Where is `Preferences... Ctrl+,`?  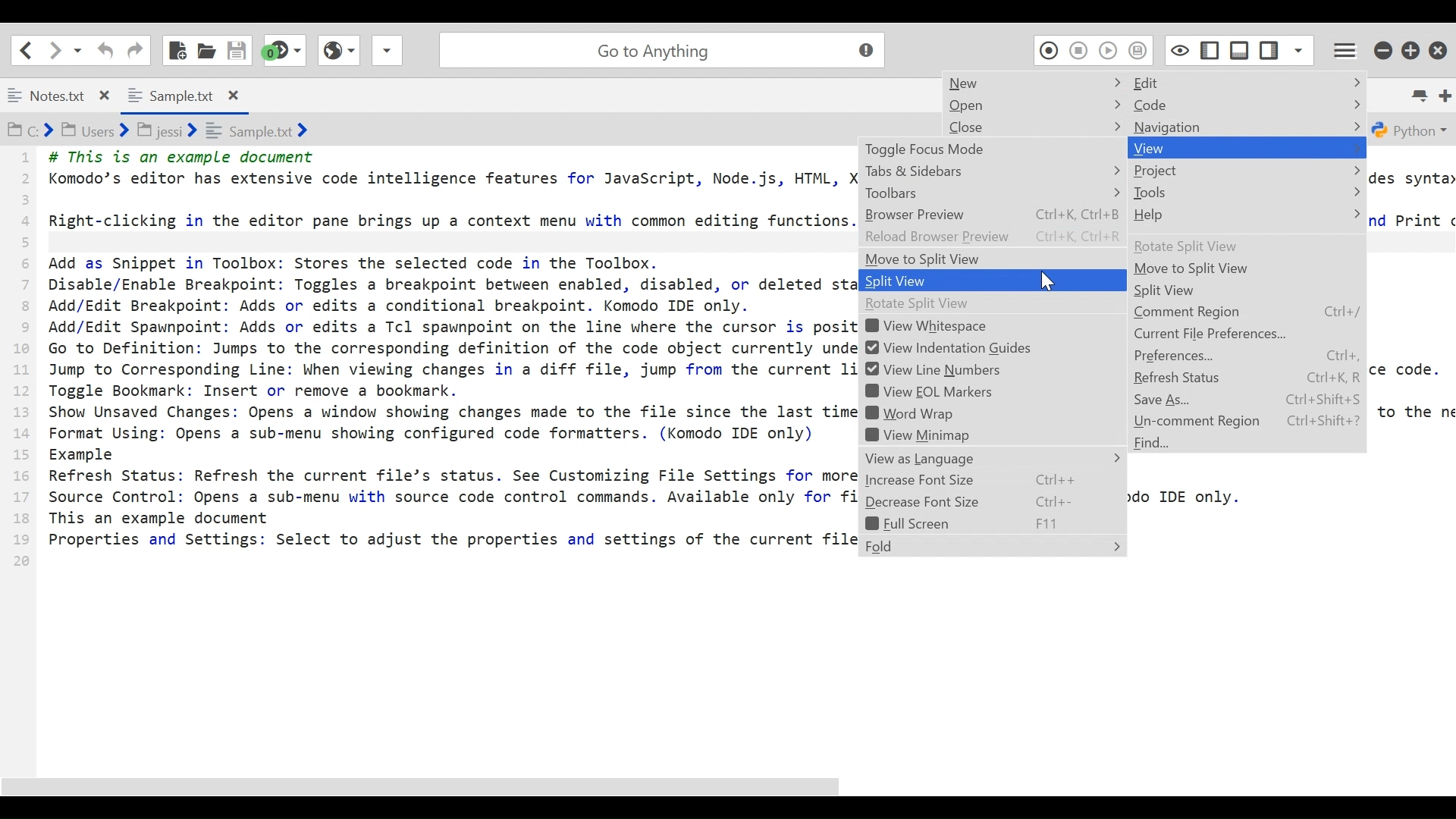
Preferences... Ctrl+, is located at coordinates (1247, 356).